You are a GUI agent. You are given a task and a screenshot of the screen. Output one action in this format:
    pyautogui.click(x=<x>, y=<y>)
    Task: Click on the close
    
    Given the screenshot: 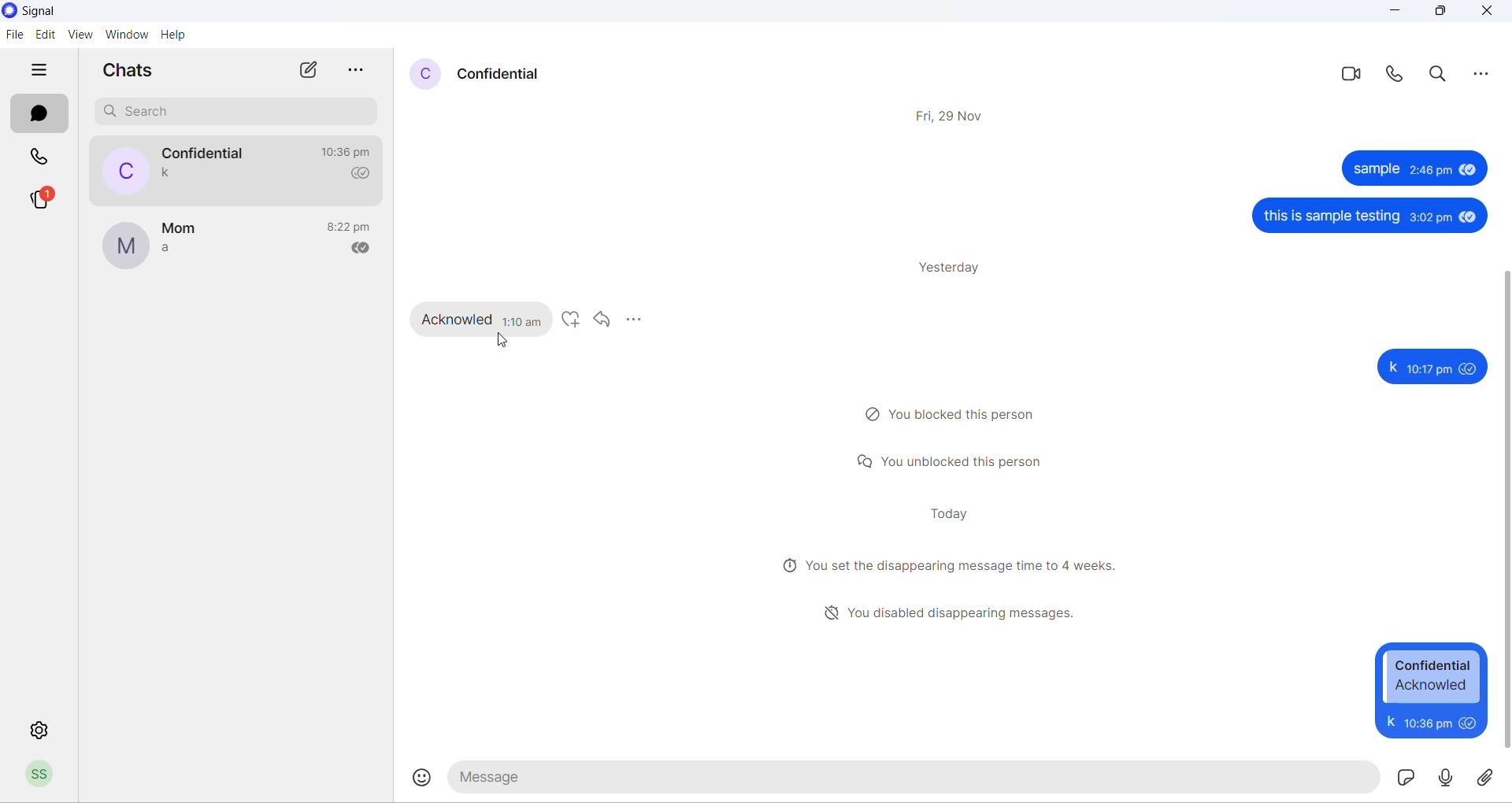 What is the action you would take?
    pyautogui.click(x=1487, y=12)
    